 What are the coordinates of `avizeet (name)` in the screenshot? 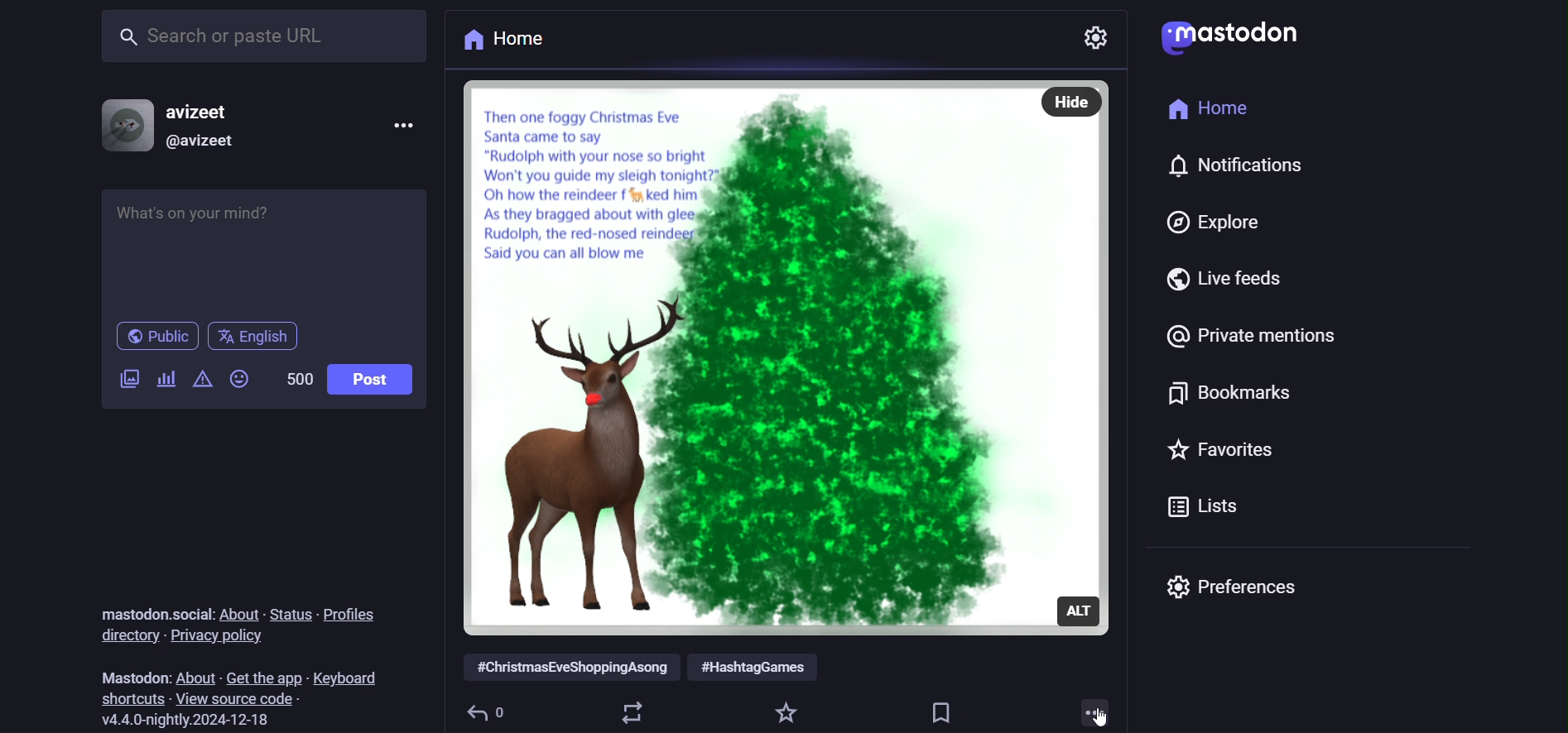 It's located at (204, 109).